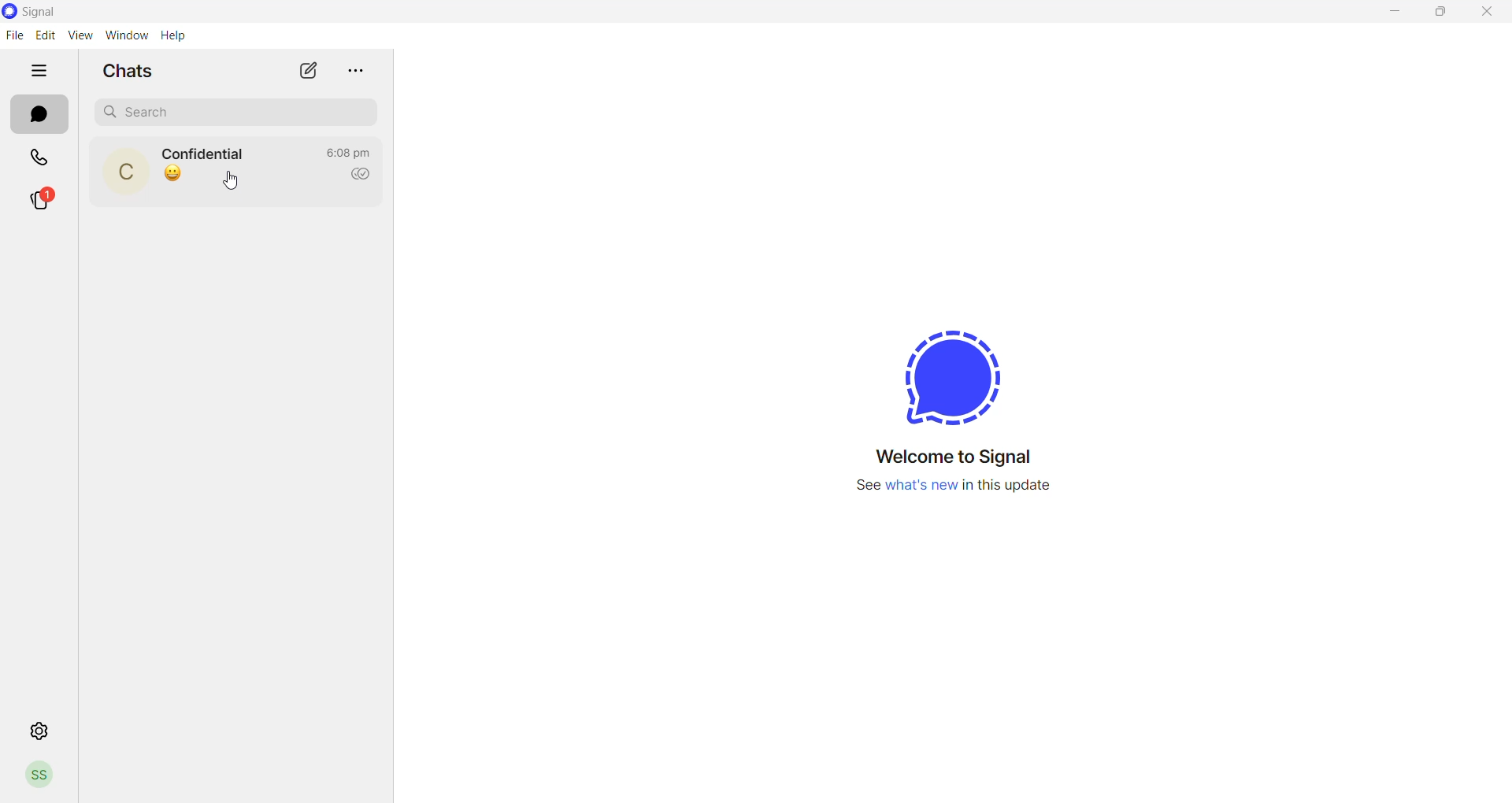 This screenshot has width=1512, height=803. I want to click on view, so click(78, 35).